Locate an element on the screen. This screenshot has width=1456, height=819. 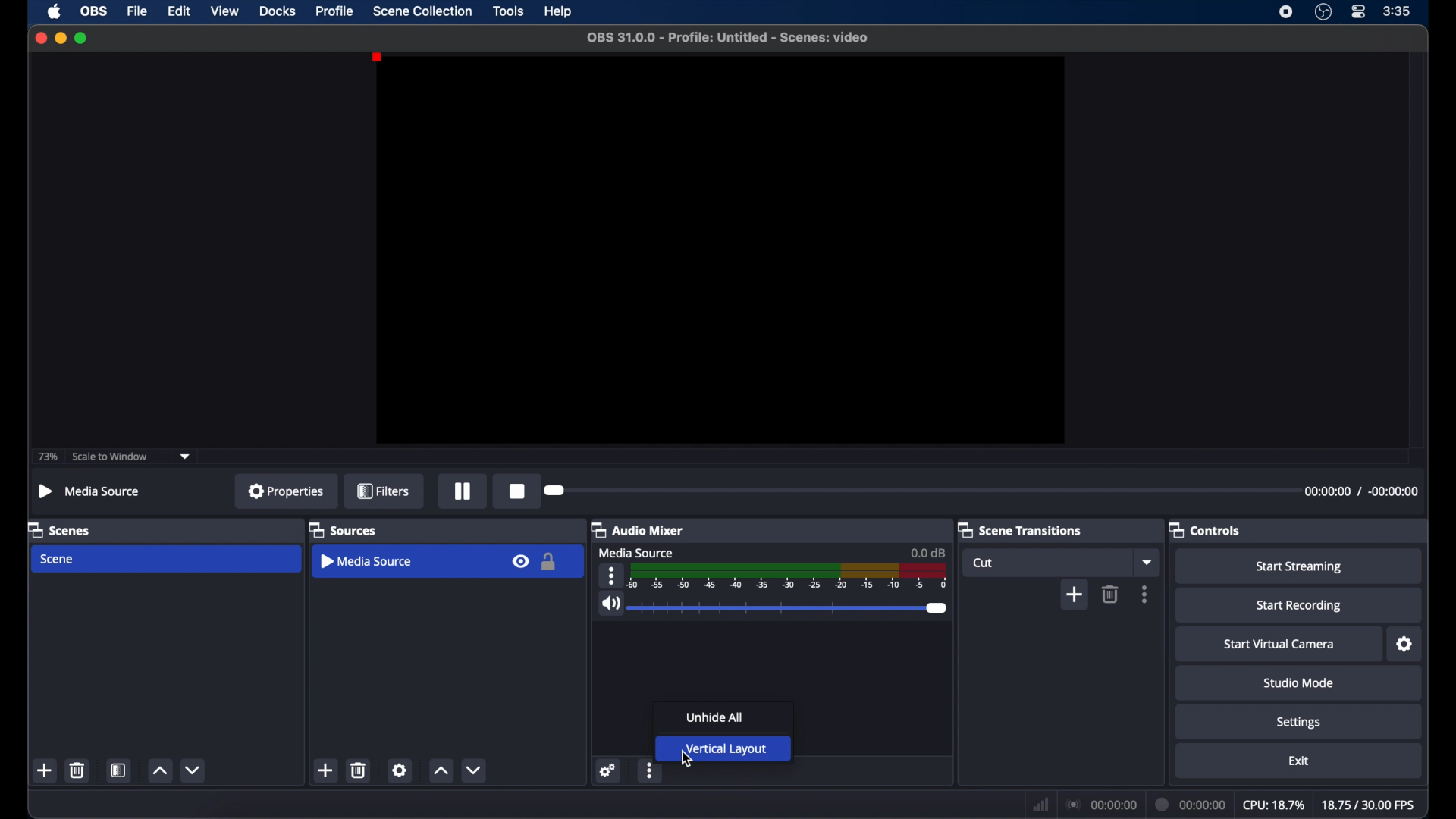
decrement is located at coordinates (474, 770).